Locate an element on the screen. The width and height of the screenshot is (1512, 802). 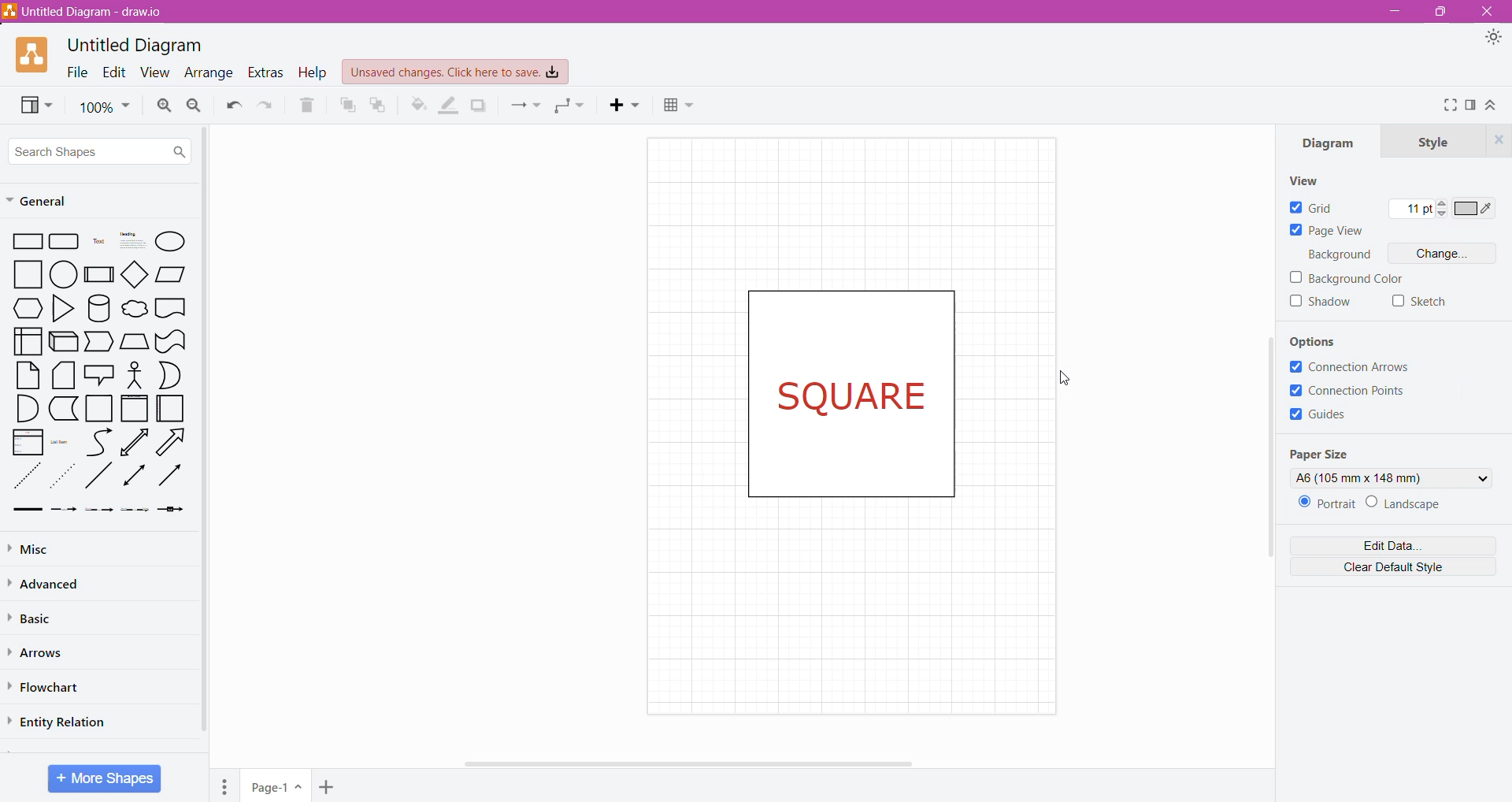
Square is located at coordinates (859, 392).